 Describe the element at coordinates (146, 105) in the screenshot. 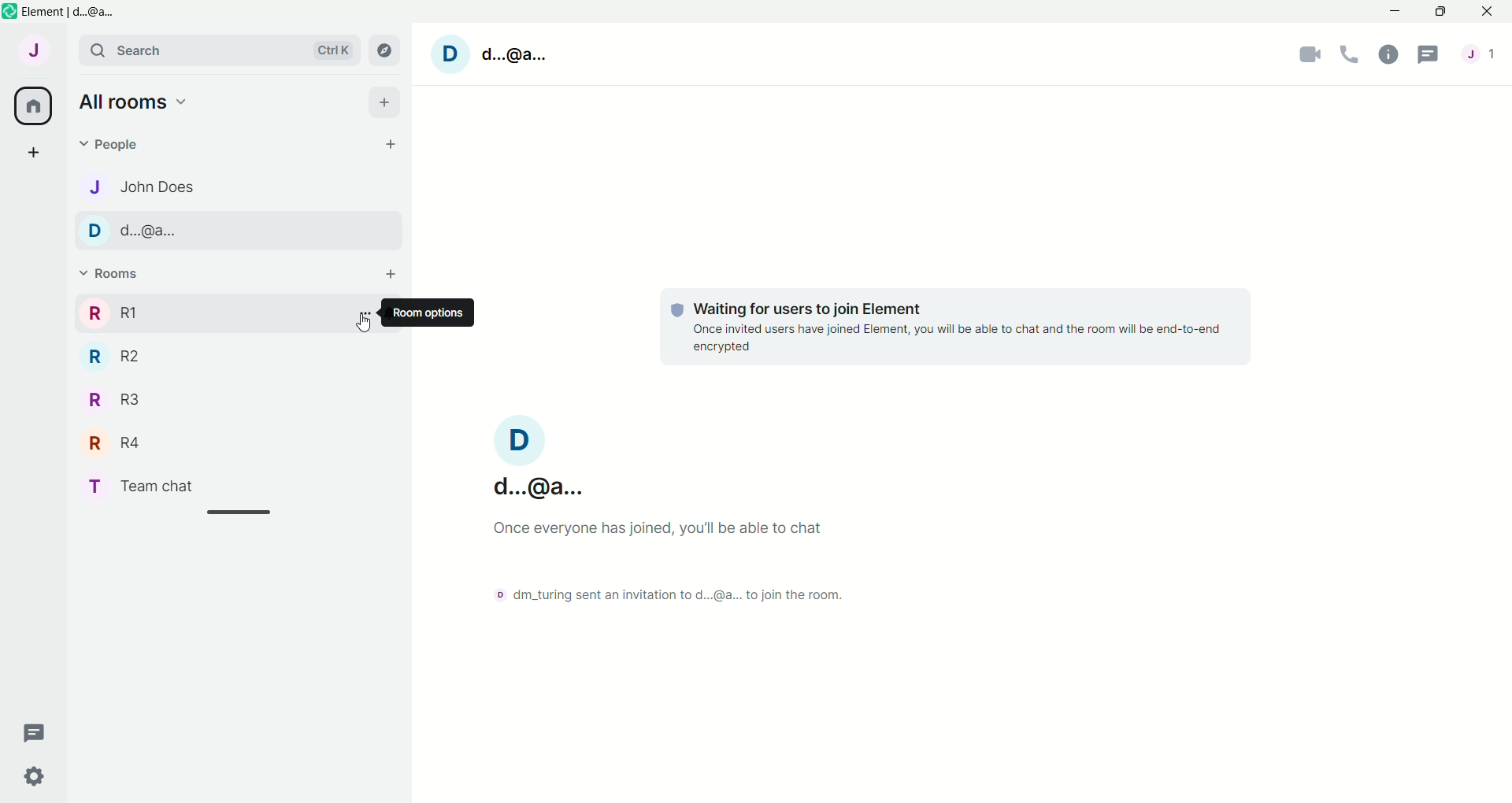

I see `All rooms ` at that location.